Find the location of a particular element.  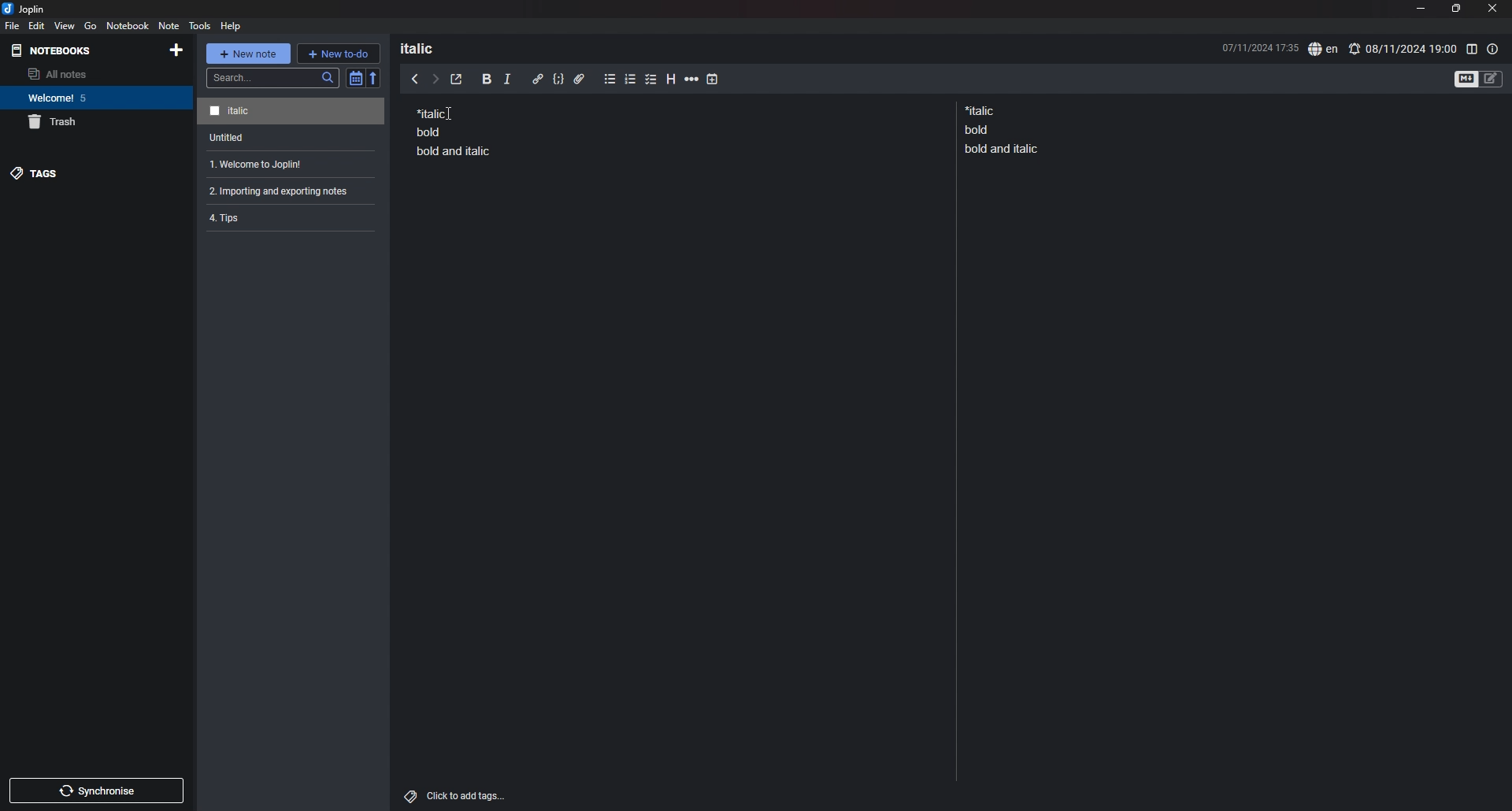

note is located at coordinates (293, 138).